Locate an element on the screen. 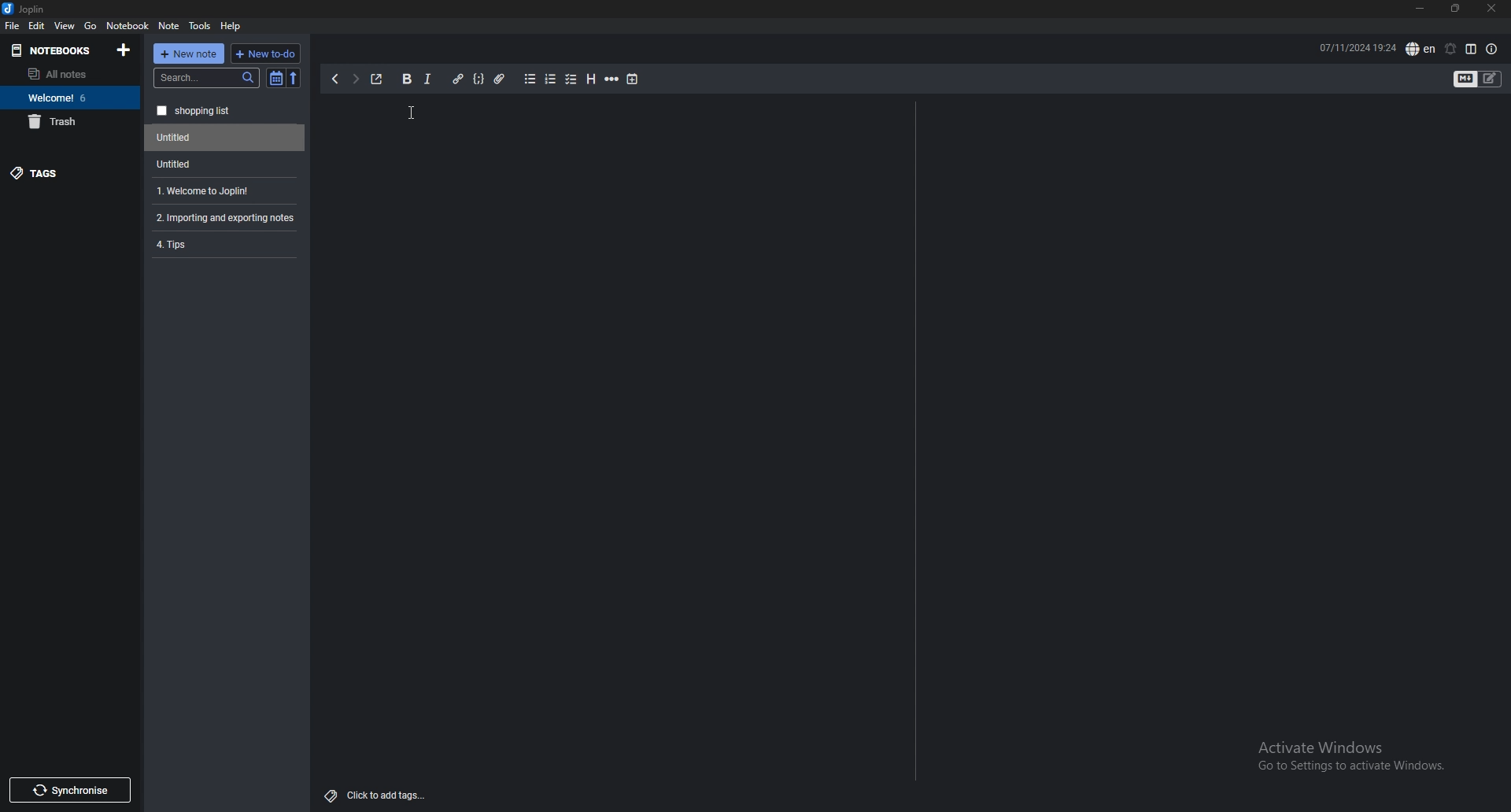 The image size is (1511, 812). cursor is located at coordinates (414, 116).